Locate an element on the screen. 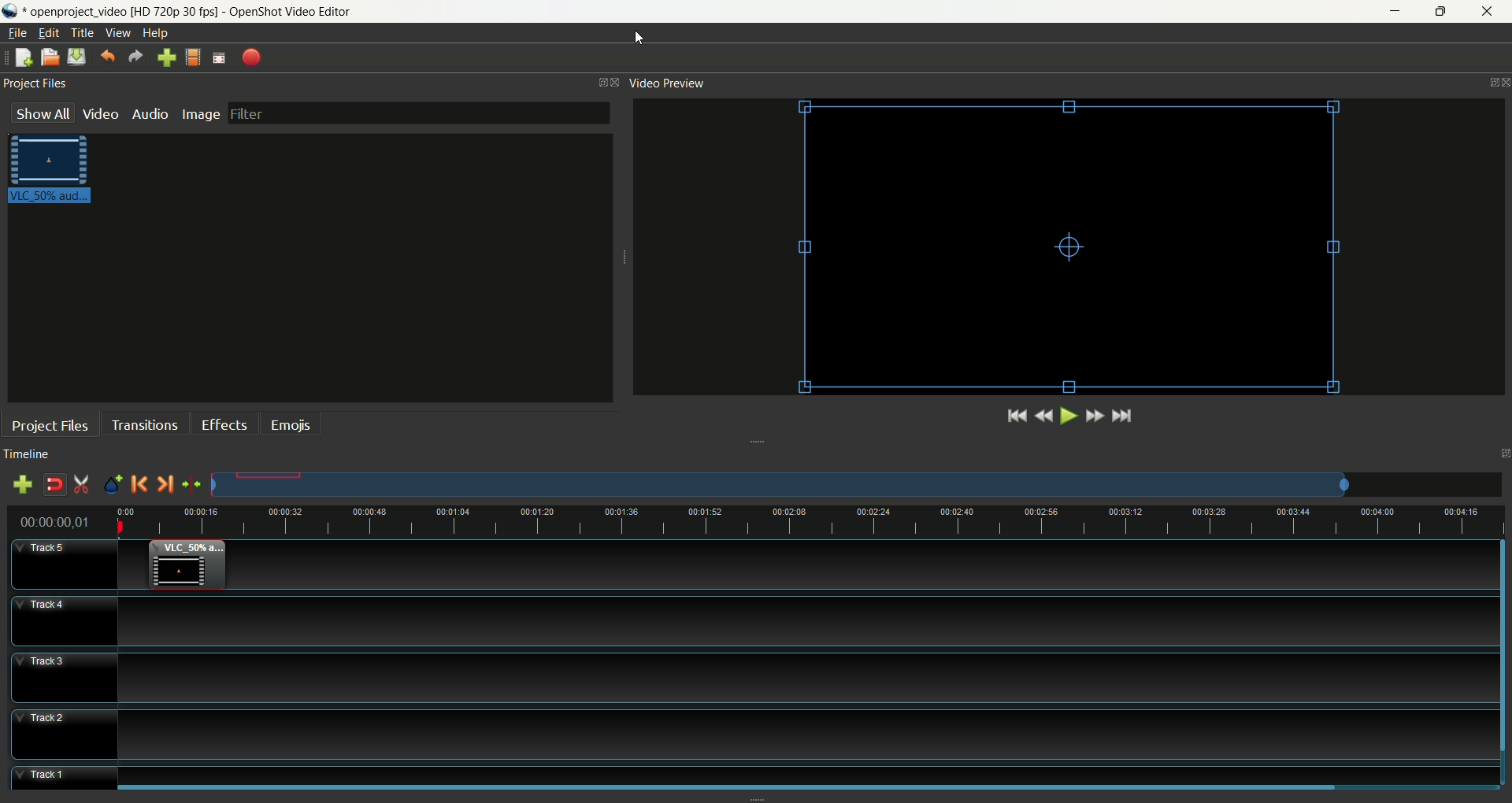 This screenshot has height=803, width=1512. help is located at coordinates (154, 34).